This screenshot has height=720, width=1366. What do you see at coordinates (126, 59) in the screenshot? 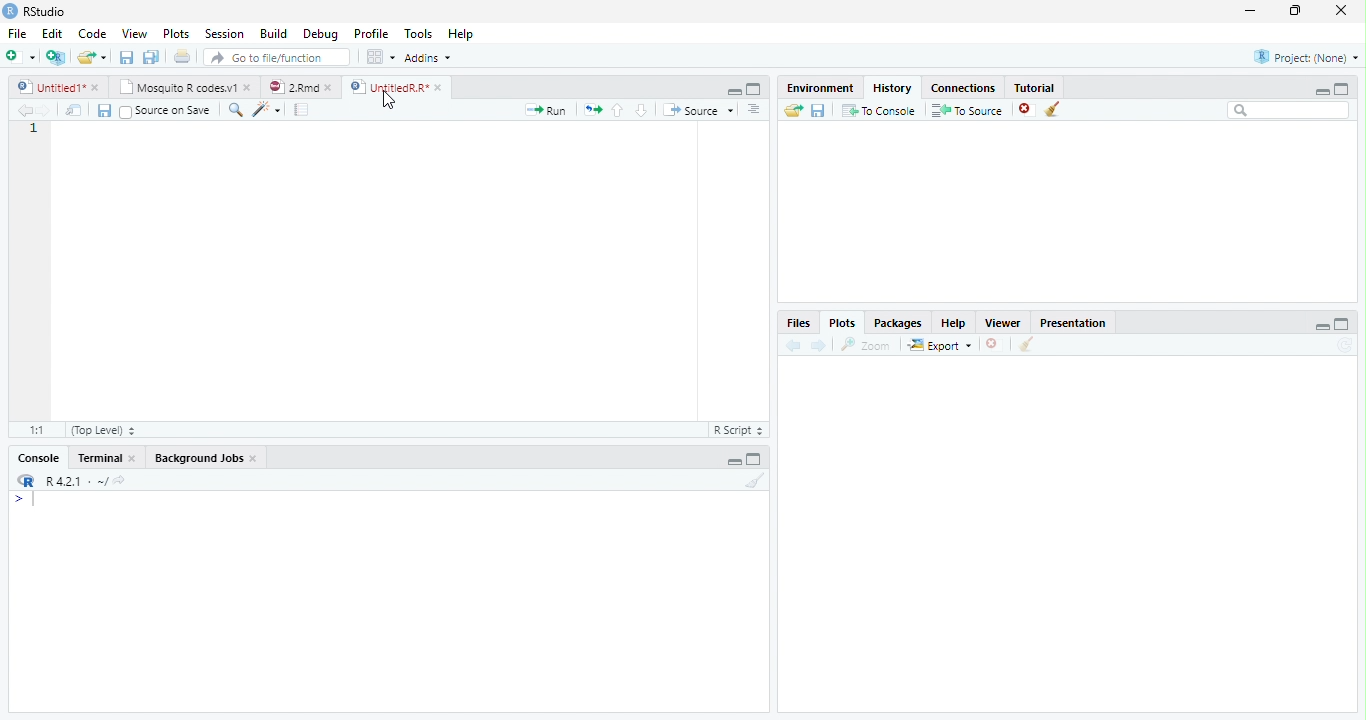
I see `Save` at bounding box center [126, 59].